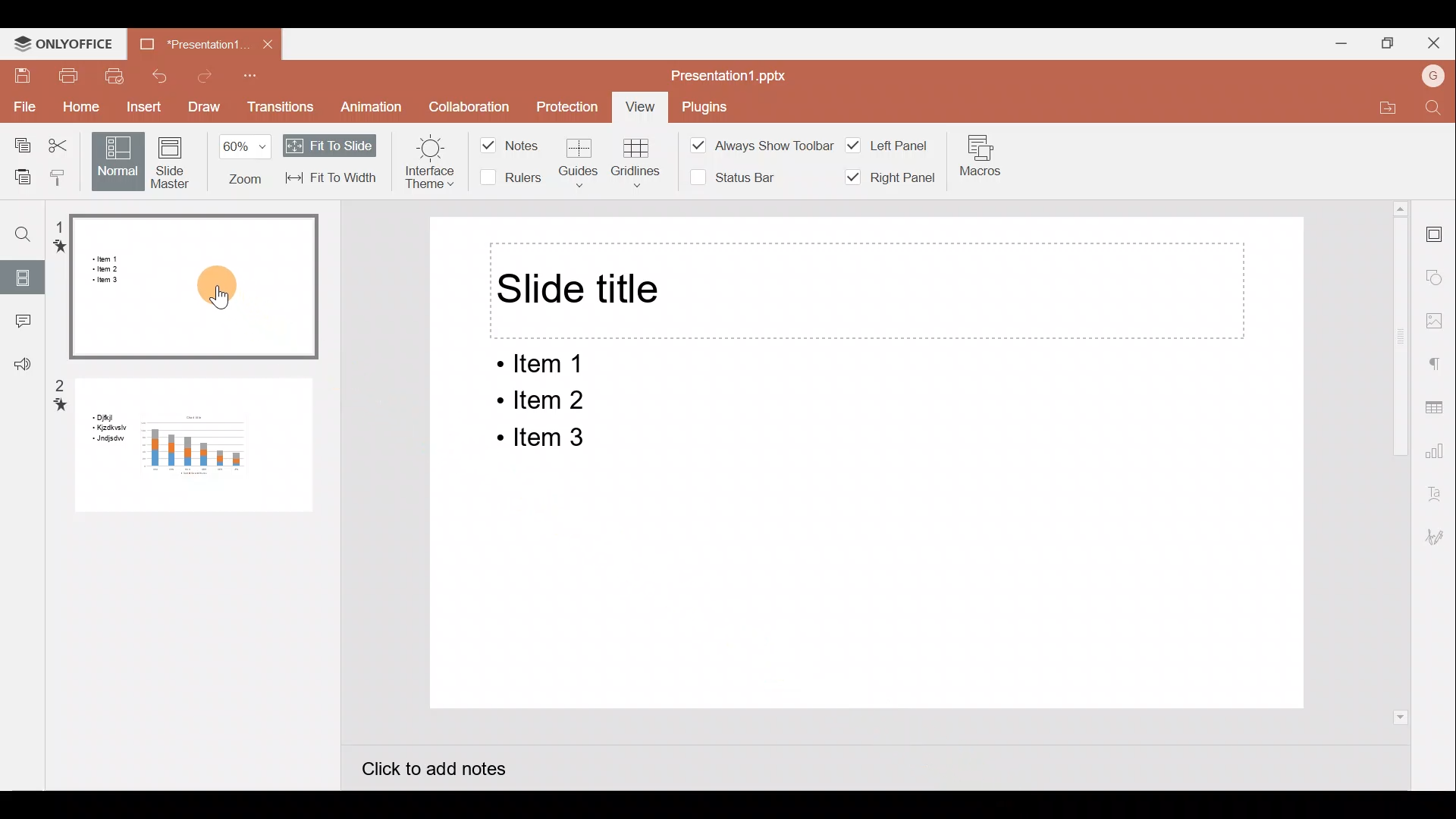 This screenshot has height=819, width=1456. Describe the element at coordinates (331, 177) in the screenshot. I see `Fit to width` at that location.